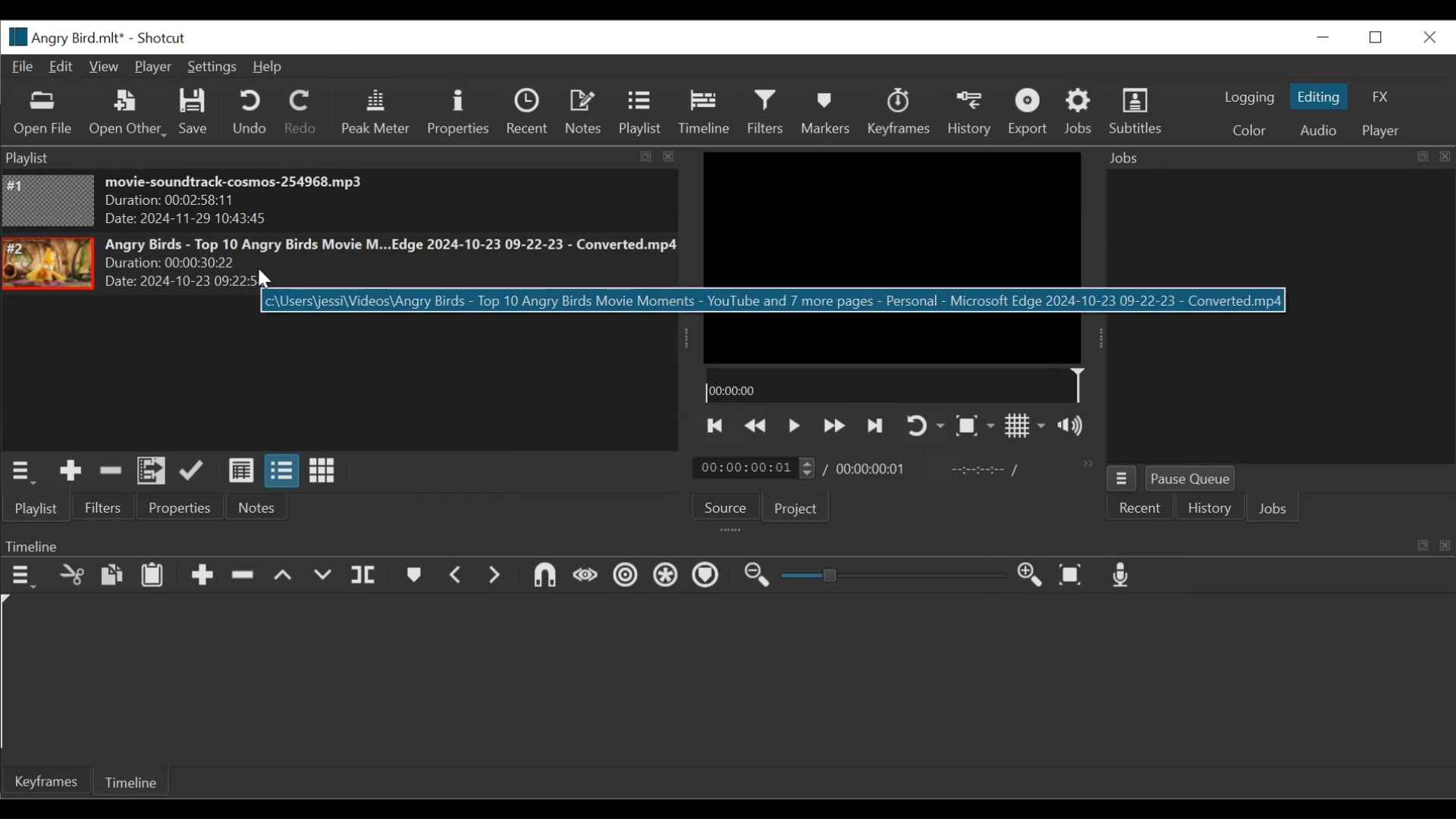 The width and height of the screenshot is (1456, 819). I want to click on Source, so click(726, 508).